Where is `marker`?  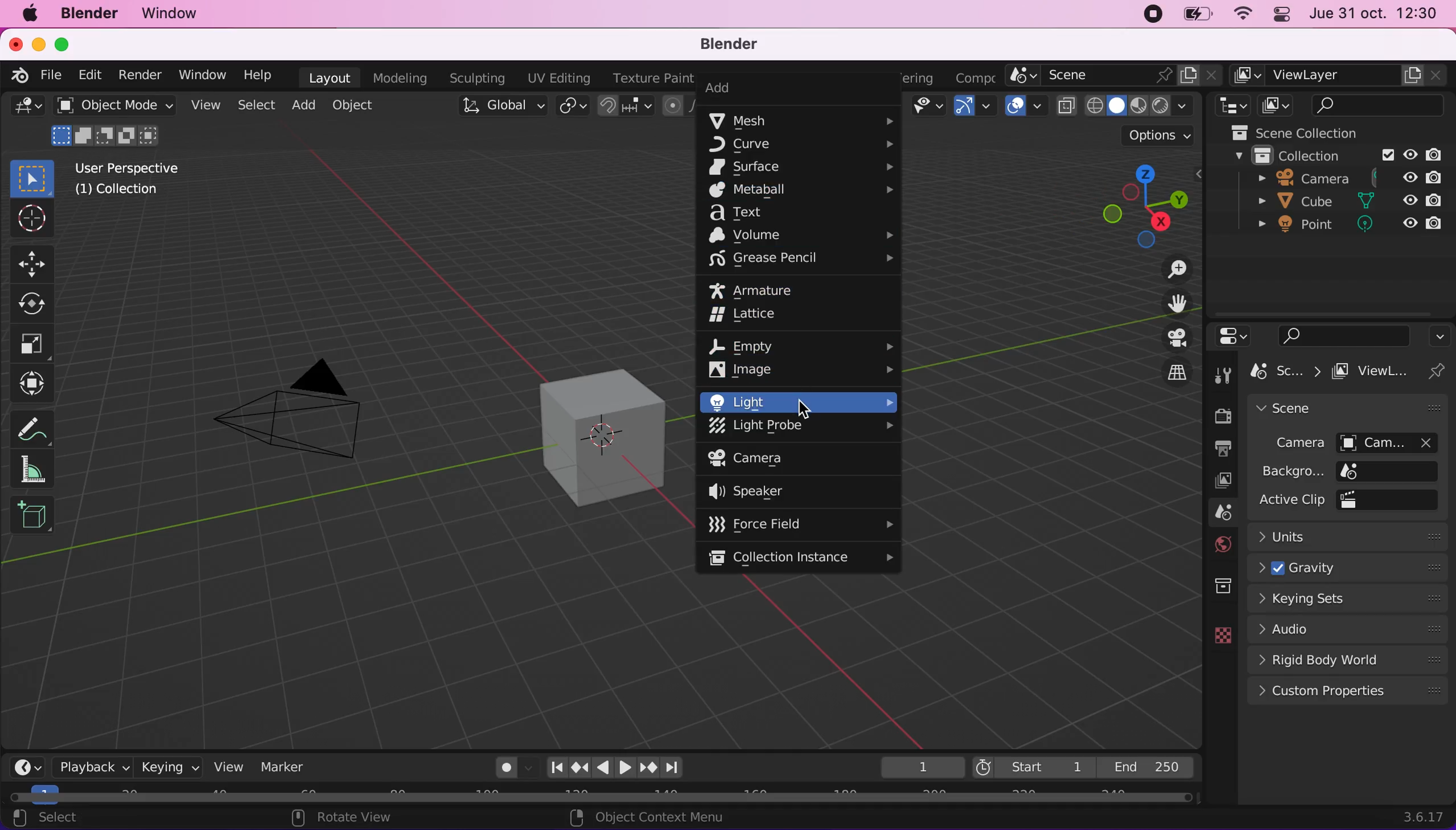 marker is located at coordinates (288, 767).